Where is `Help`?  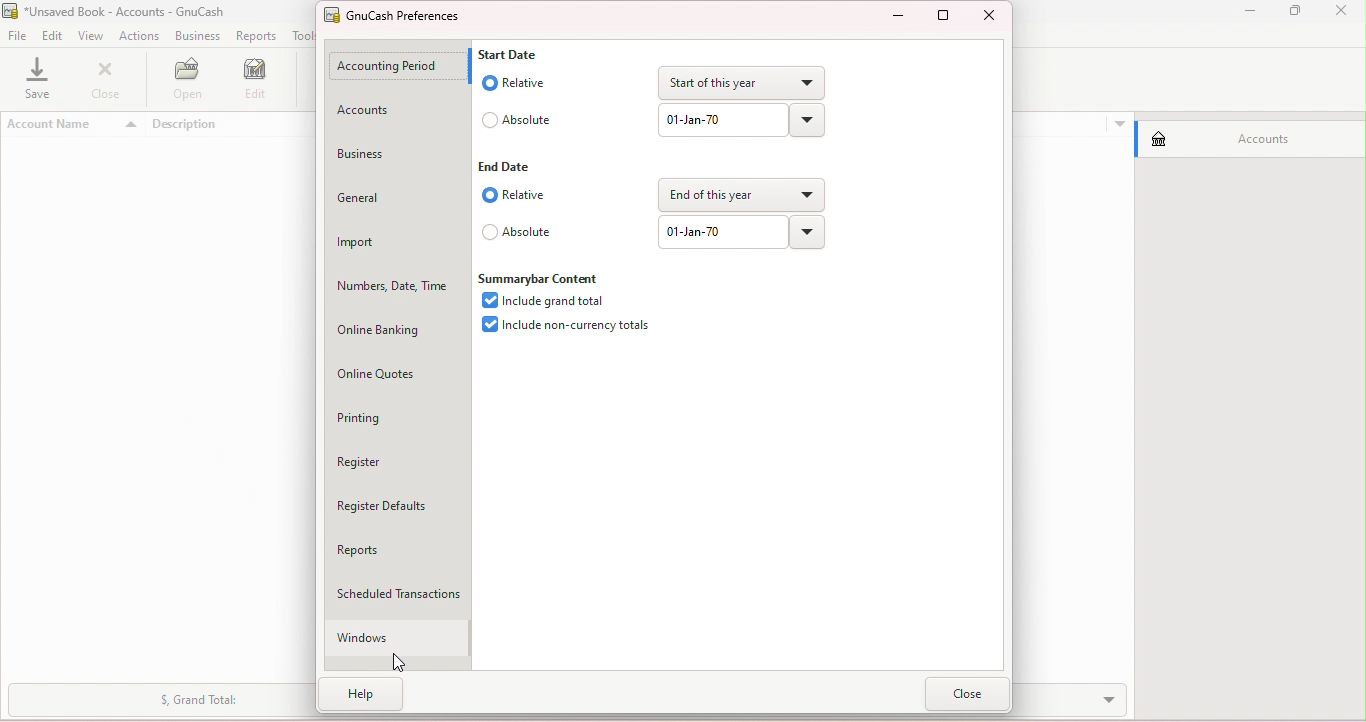
Help is located at coordinates (368, 699).